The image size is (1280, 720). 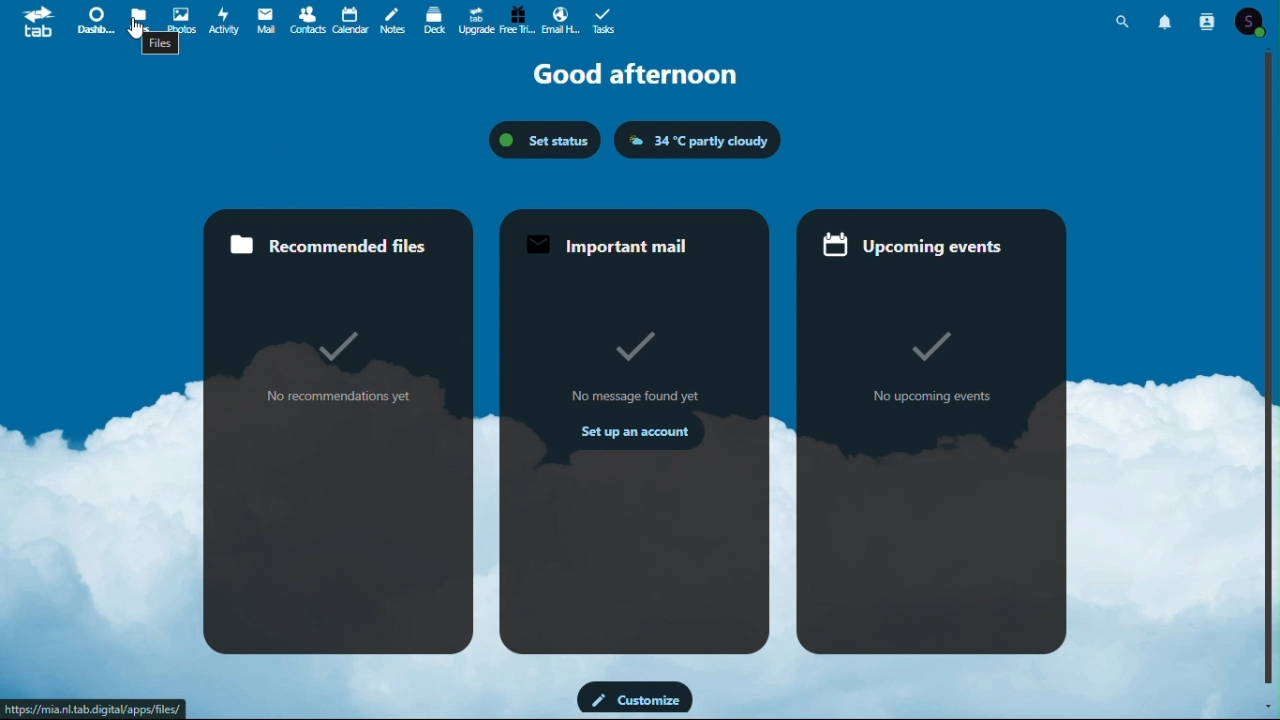 I want to click on Recommended files, so click(x=342, y=430).